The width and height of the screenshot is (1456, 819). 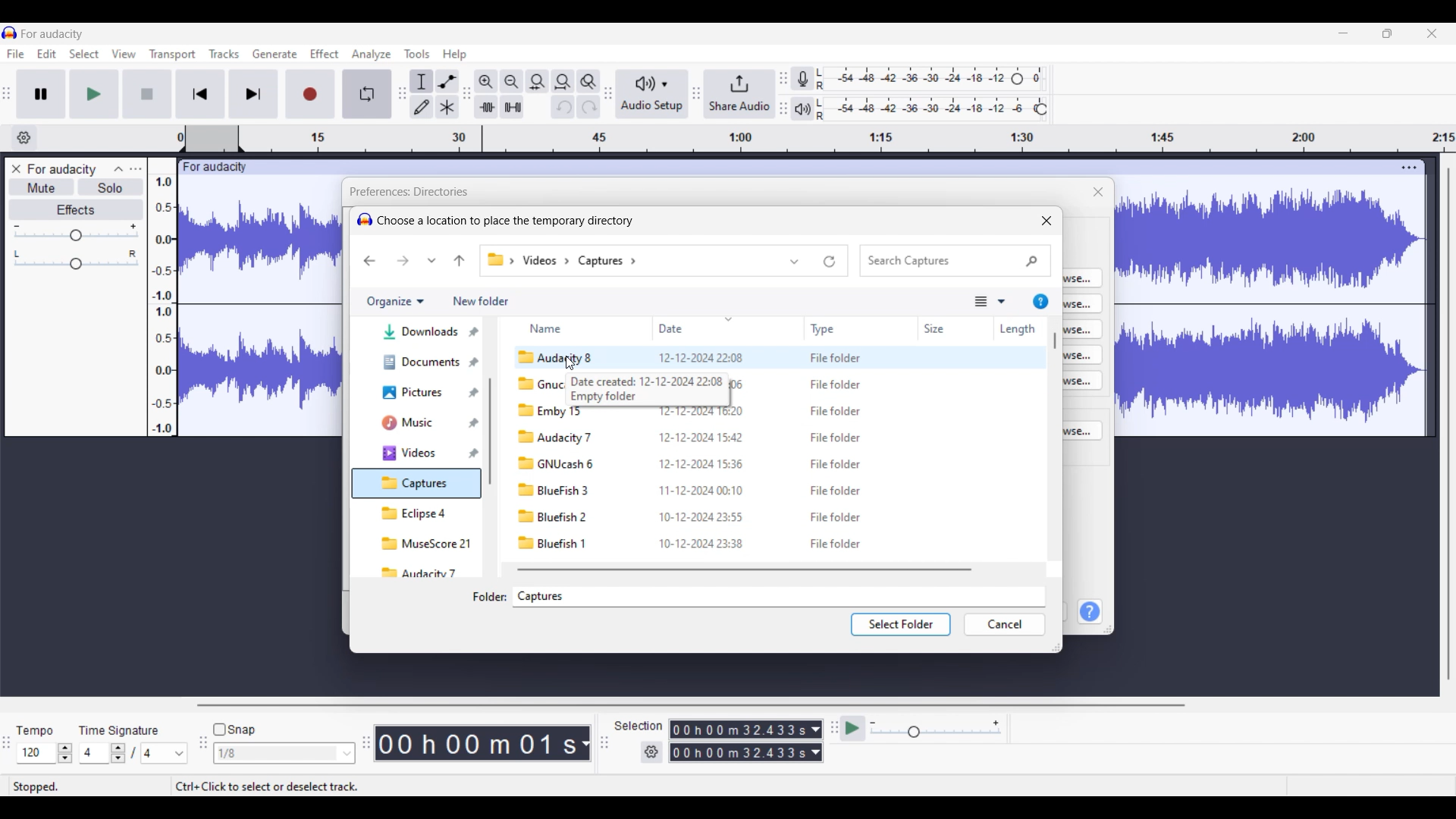 What do you see at coordinates (52, 33) in the screenshot?
I see `Project name` at bounding box center [52, 33].